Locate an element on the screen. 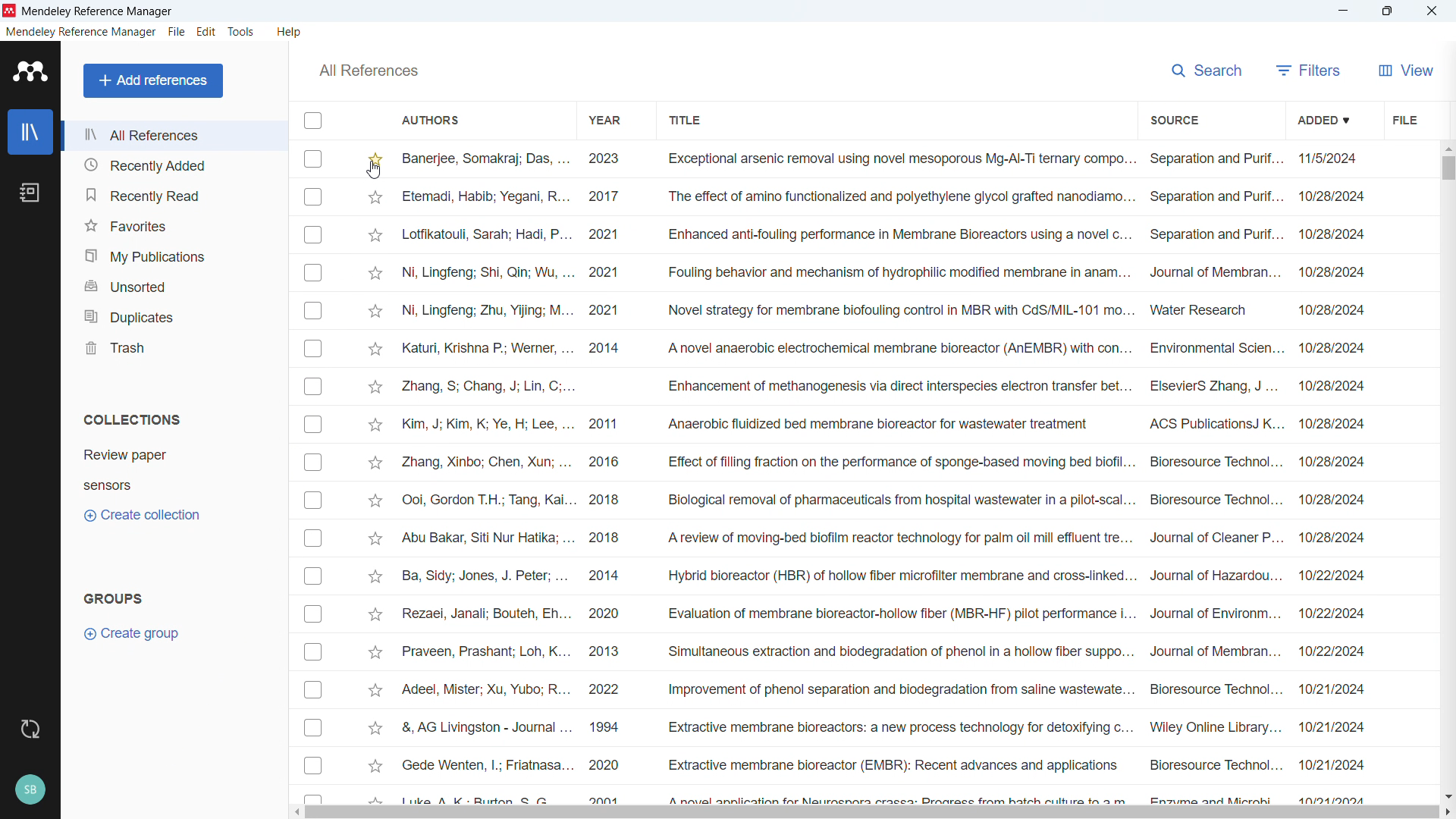  Sort by title  is located at coordinates (684, 121).